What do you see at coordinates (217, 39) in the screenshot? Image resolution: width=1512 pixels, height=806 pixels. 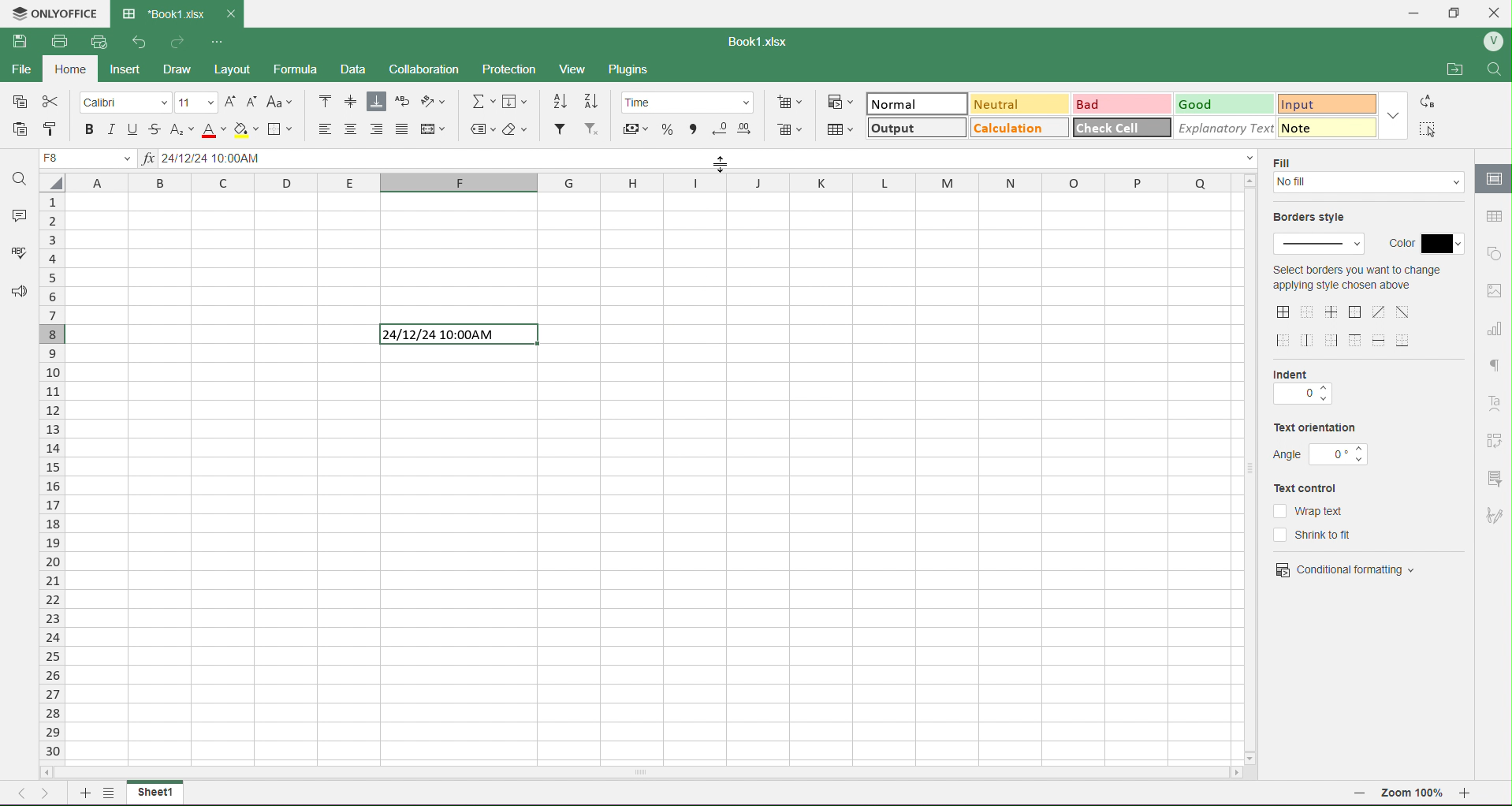 I see `Customize Quick Access Toolbar` at bounding box center [217, 39].